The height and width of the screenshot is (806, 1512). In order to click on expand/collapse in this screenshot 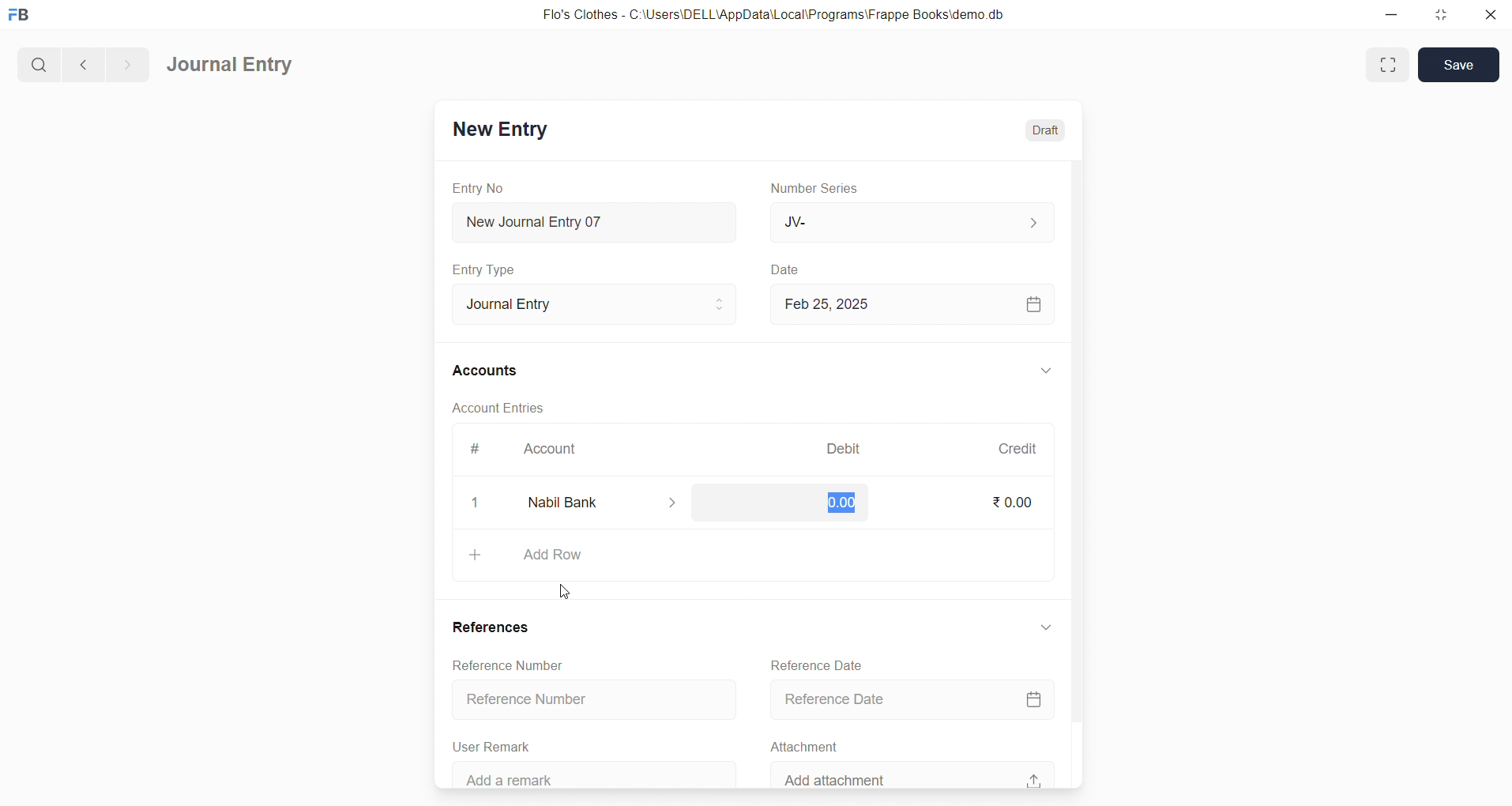, I will do `click(1046, 632)`.